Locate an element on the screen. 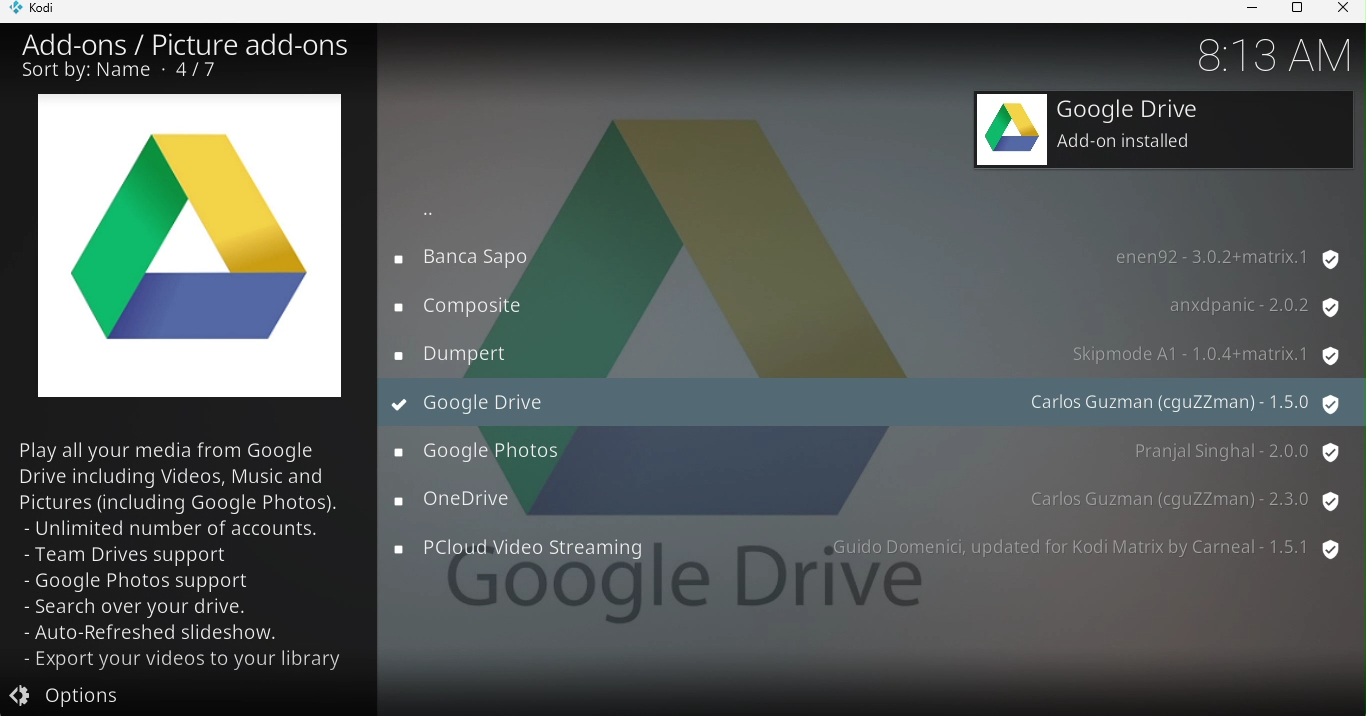 Image resolution: width=1366 pixels, height=716 pixels. Banca sapo is located at coordinates (870, 258).